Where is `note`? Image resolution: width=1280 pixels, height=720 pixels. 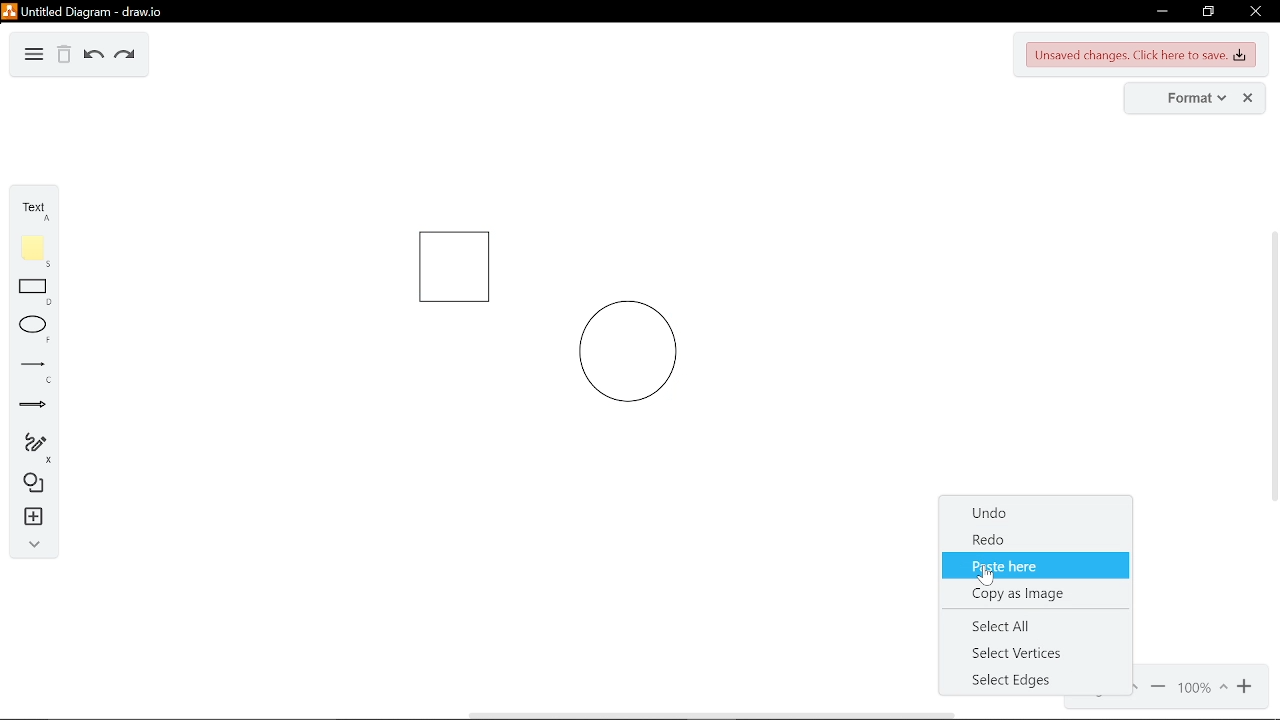
note is located at coordinates (33, 250).